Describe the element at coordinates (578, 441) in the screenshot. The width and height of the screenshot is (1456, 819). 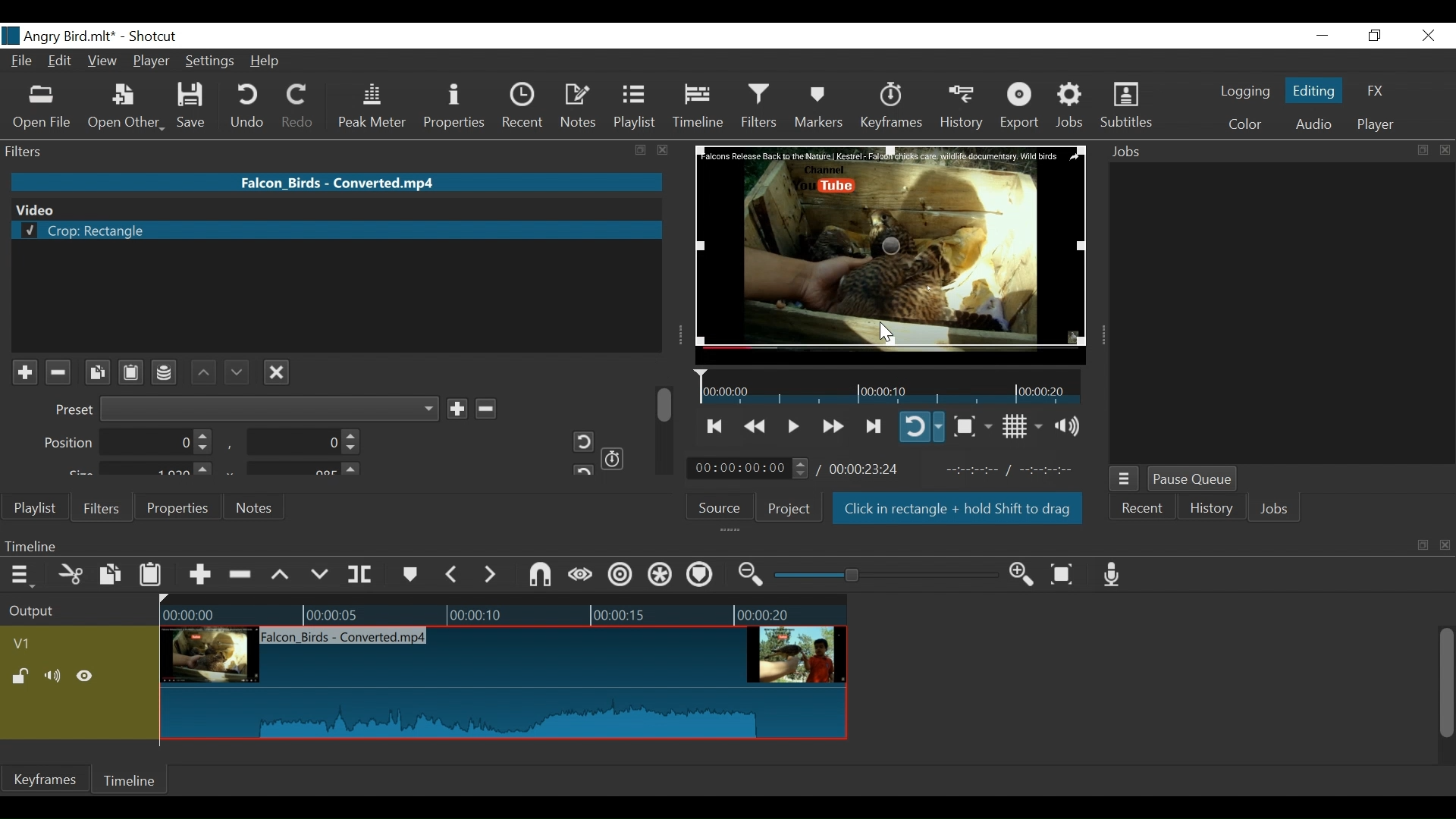
I see `Restart` at that location.